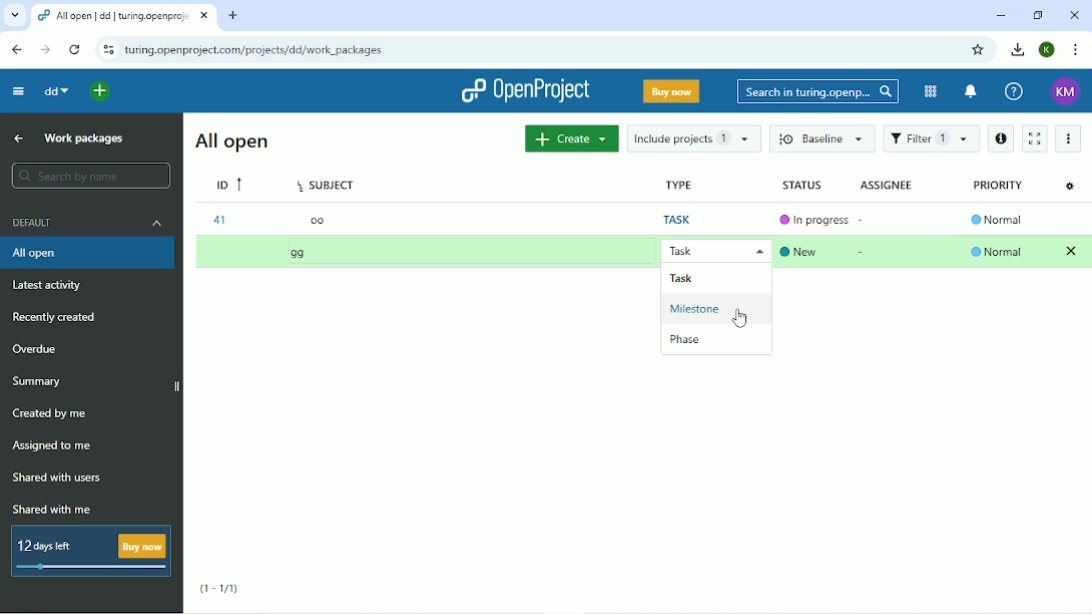  What do you see at coordinates (801, 186) in the screenshot?
I see `Status` at bounding box center [801, 186].